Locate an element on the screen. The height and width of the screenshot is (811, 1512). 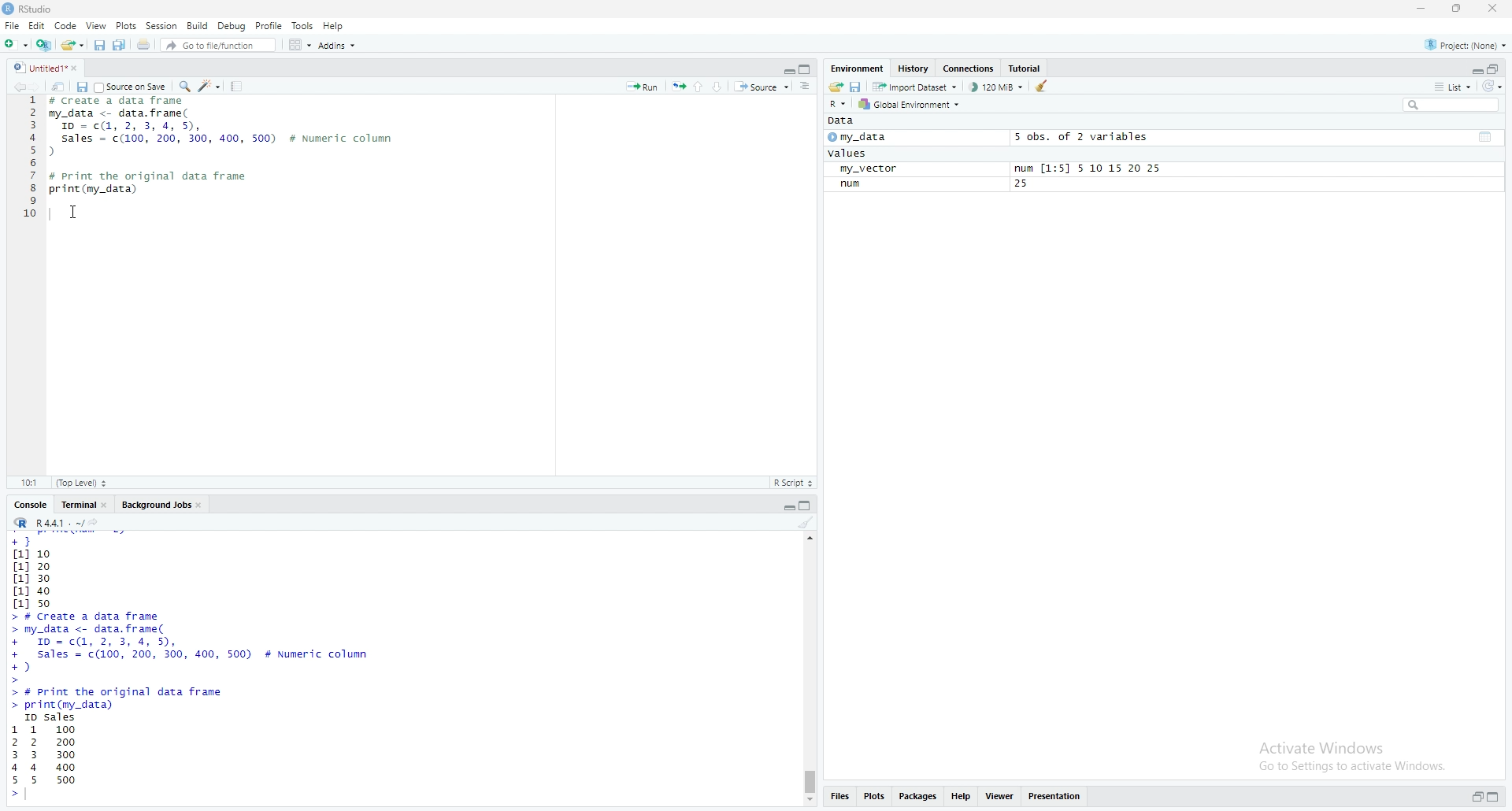
environment is located at coordinates (857, 66).